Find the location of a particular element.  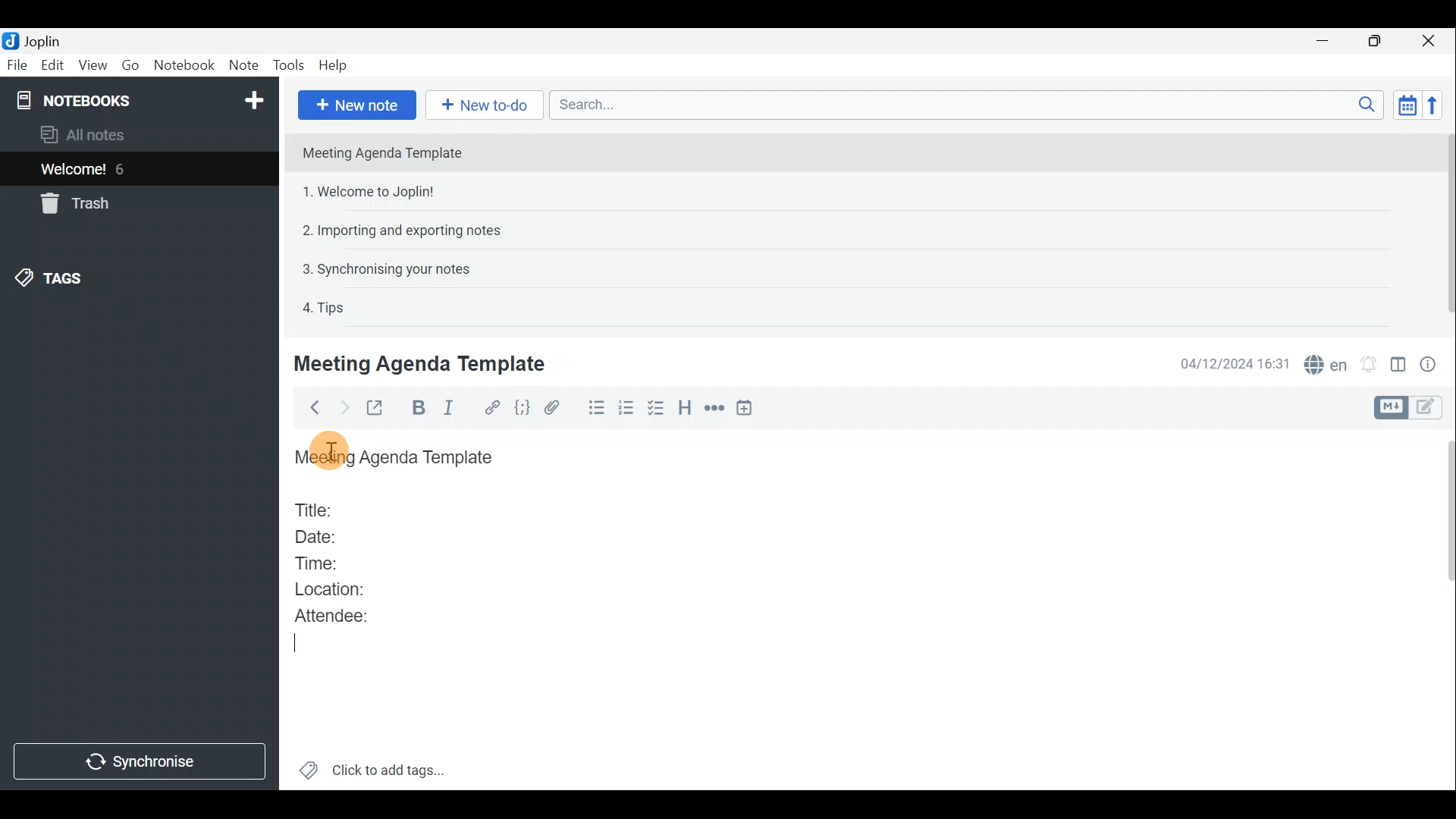

Italic is located at coordinates (454, 408).